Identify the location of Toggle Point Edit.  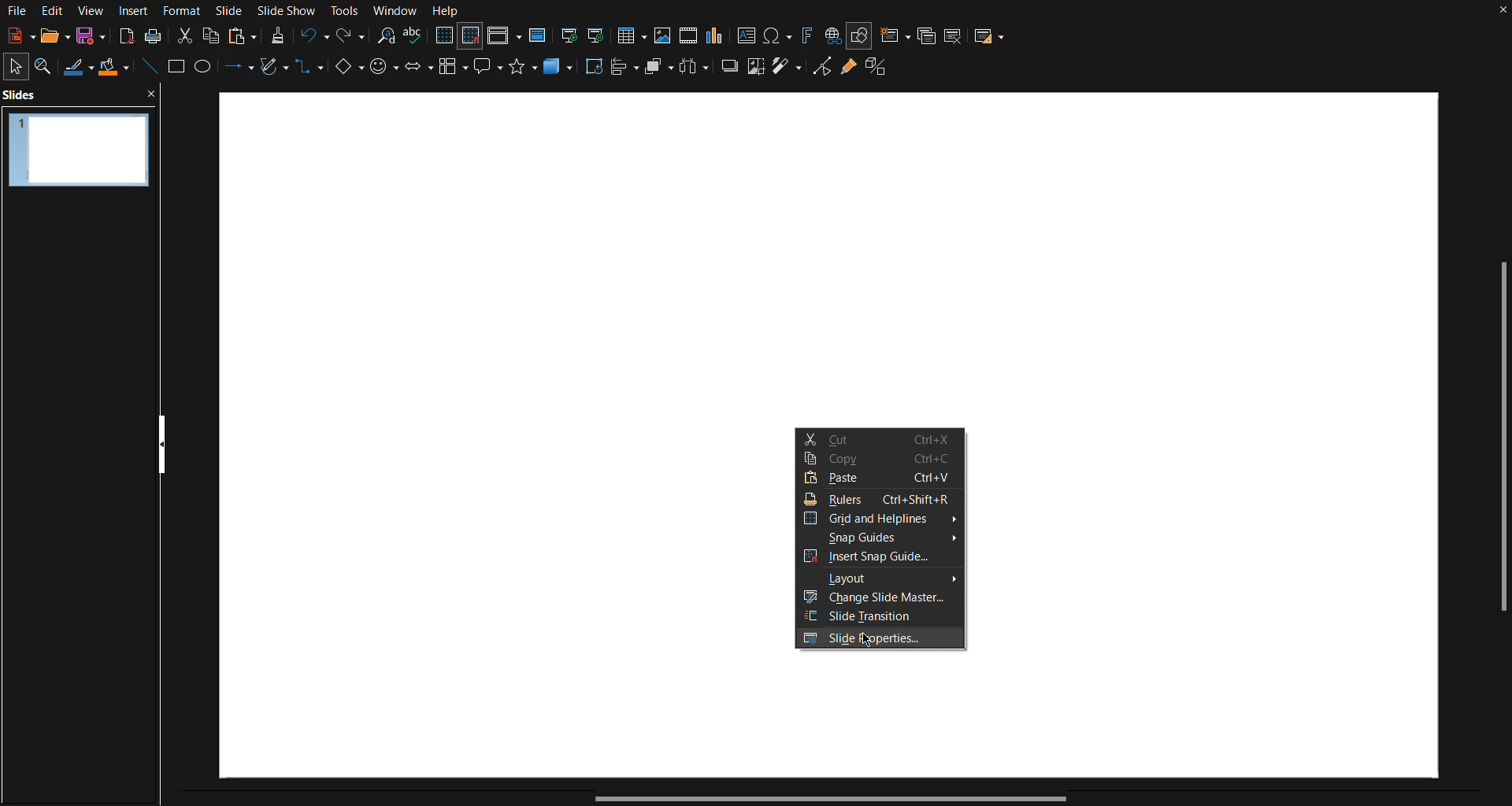
(820, 72).